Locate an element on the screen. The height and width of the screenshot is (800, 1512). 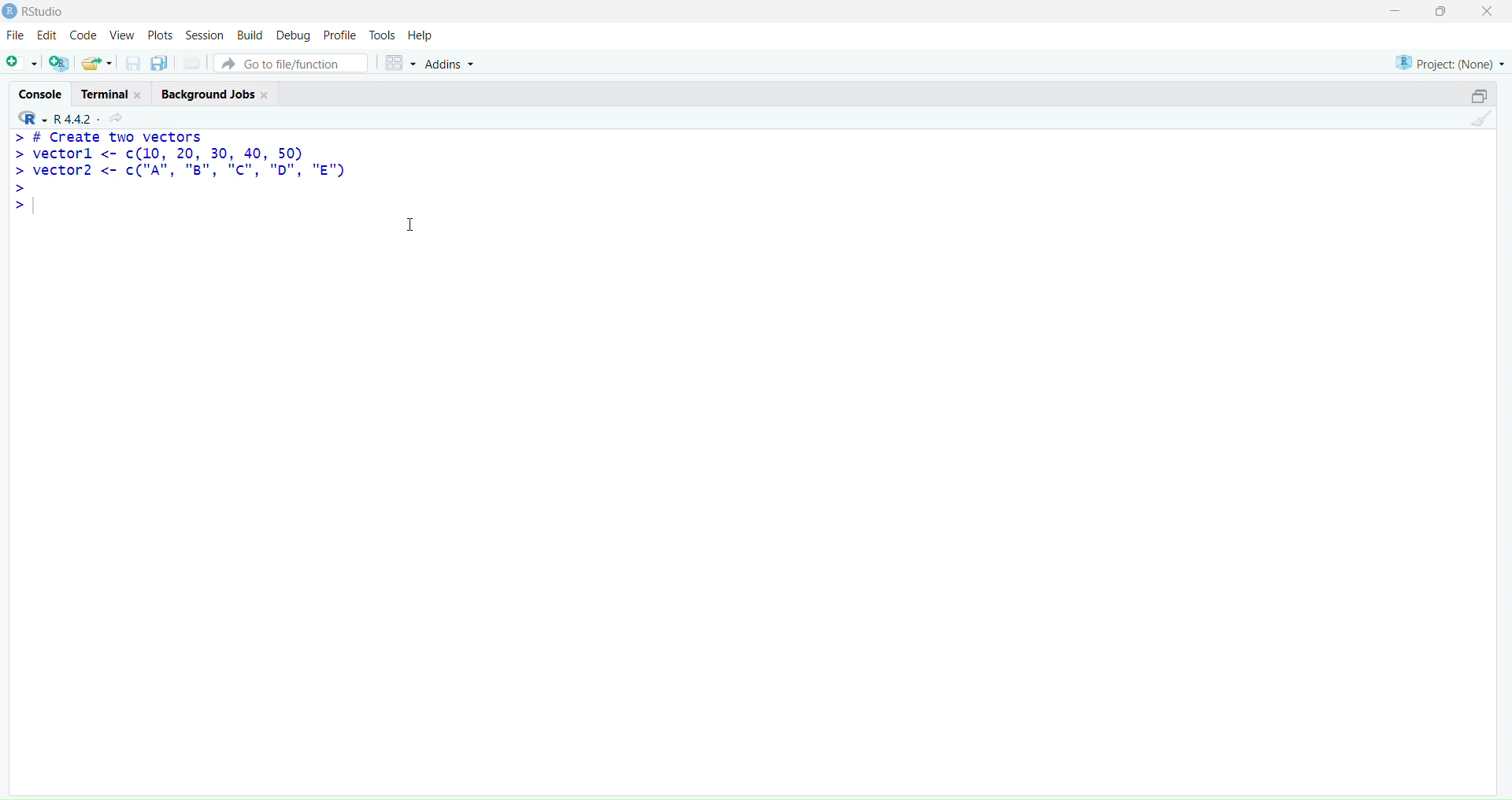
Console is located at coordinates (39, 92).